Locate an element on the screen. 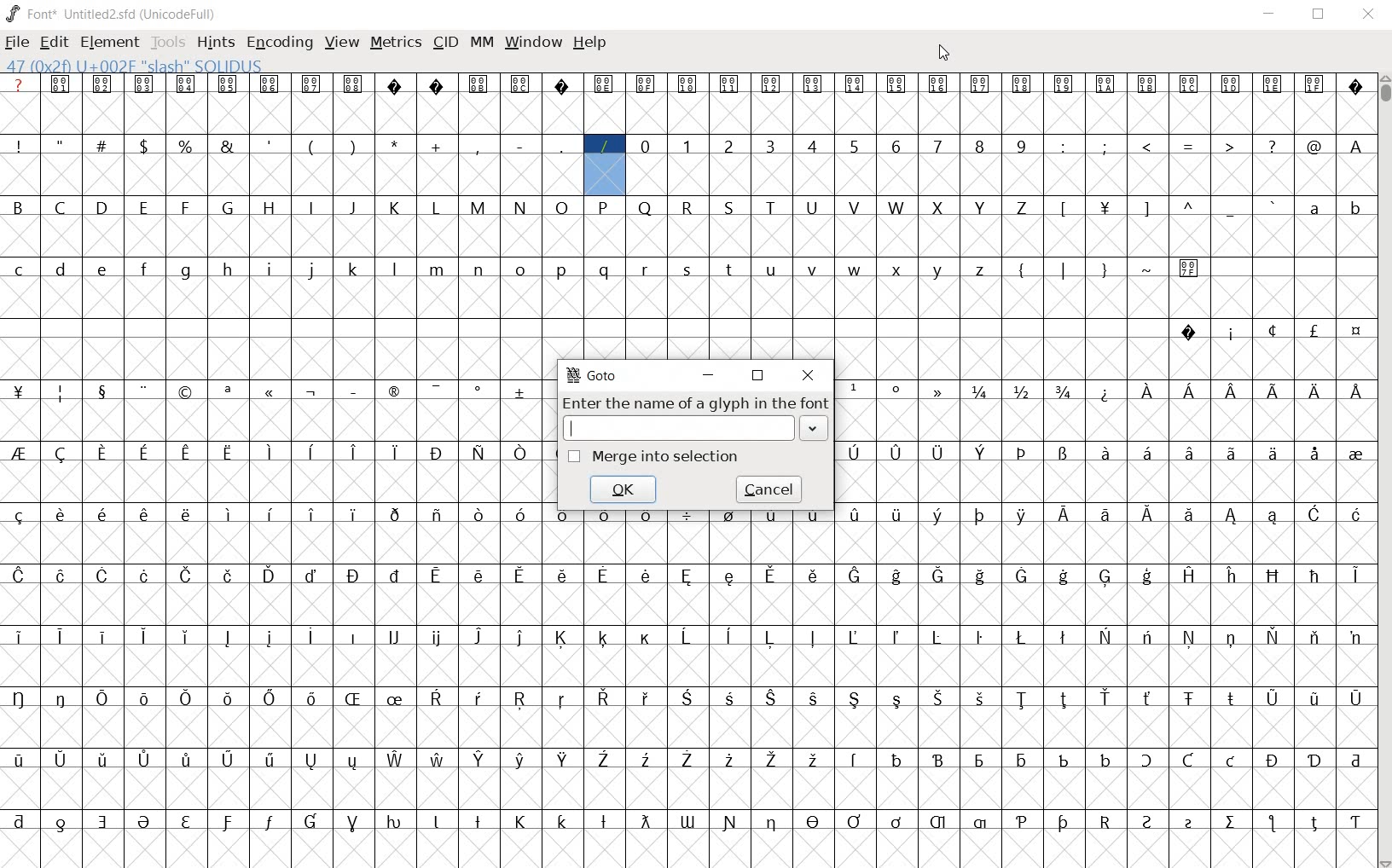  glyph is located at coordinates (1106, 394).